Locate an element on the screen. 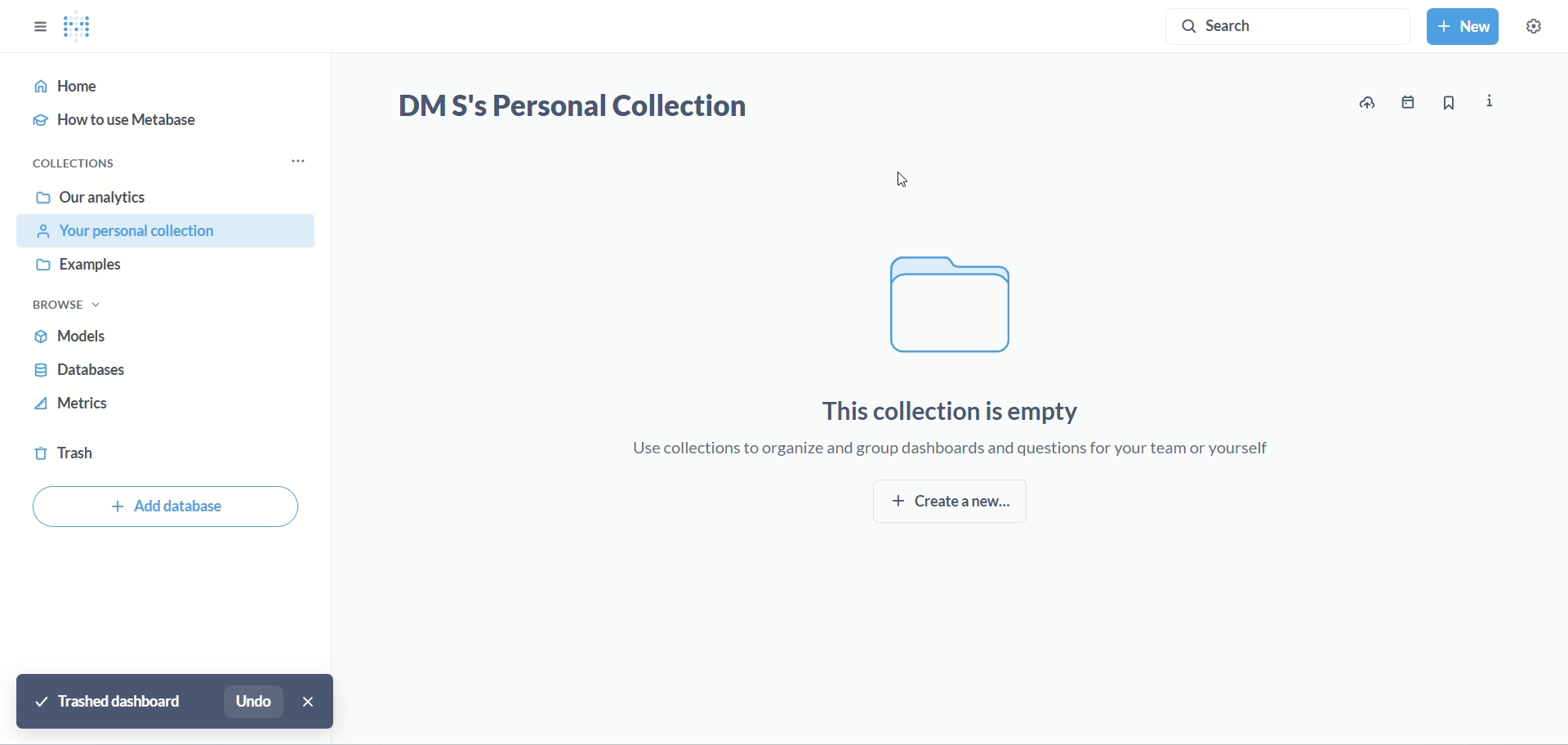  METABASE LOGO  is located at coordinates (84, 27).